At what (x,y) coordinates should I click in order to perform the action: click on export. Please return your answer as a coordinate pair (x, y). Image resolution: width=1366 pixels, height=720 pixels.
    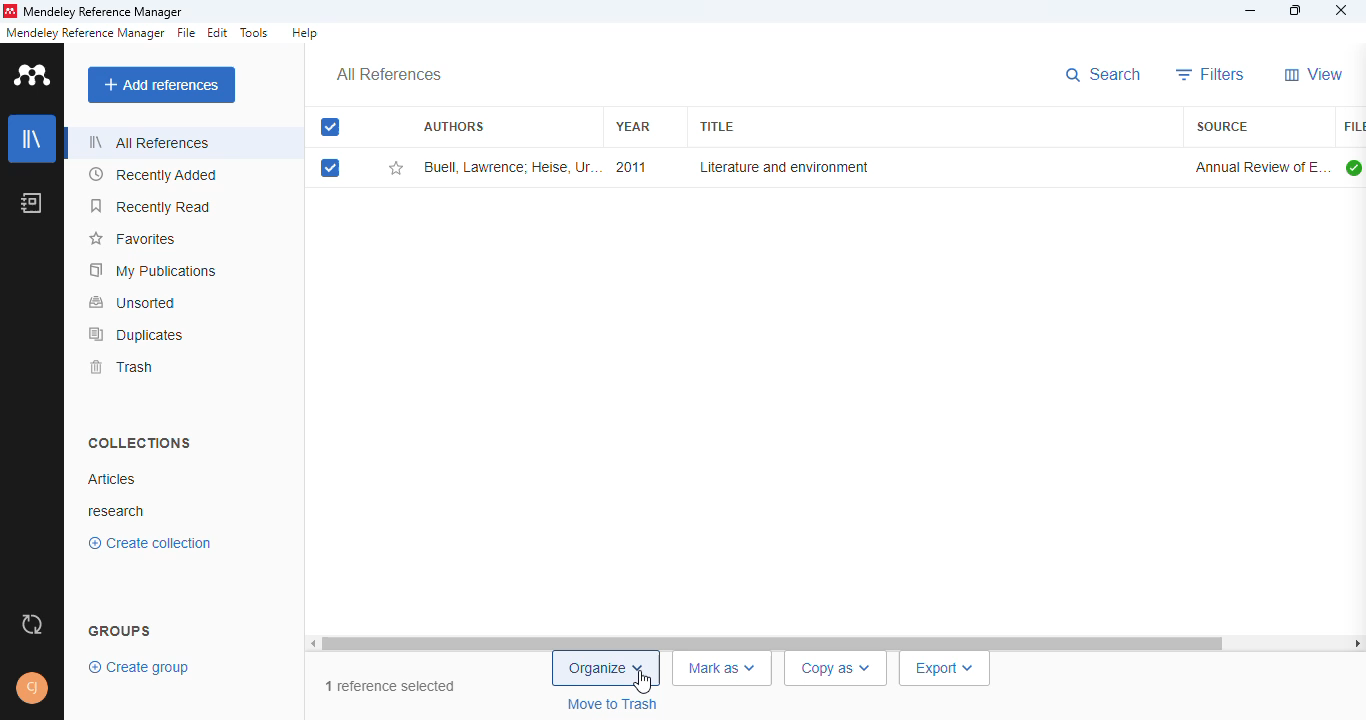
    Looking at the image, I should click on (945, 669).